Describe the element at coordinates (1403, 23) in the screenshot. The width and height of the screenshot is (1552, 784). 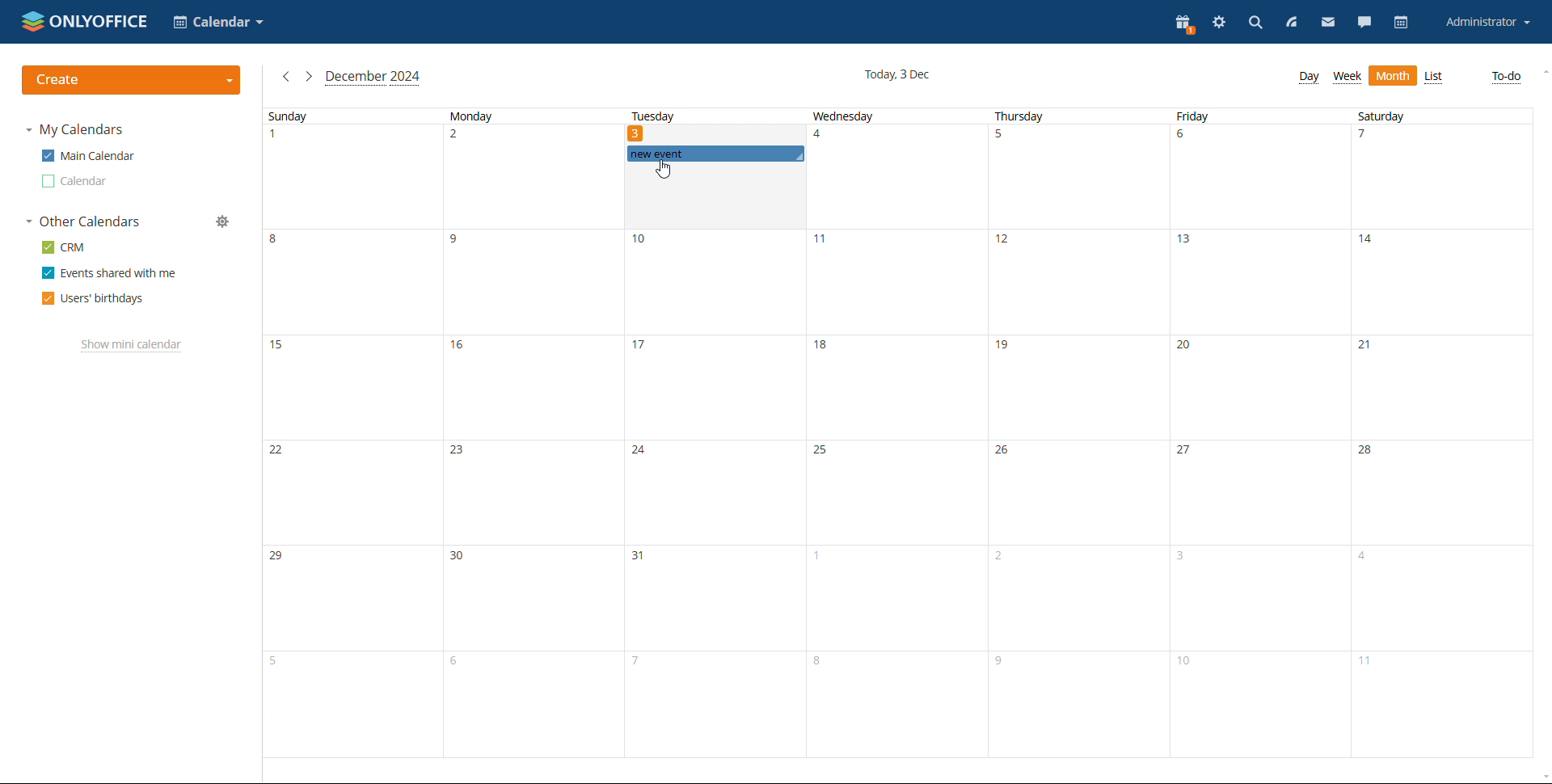
I see `calendar` at that location.